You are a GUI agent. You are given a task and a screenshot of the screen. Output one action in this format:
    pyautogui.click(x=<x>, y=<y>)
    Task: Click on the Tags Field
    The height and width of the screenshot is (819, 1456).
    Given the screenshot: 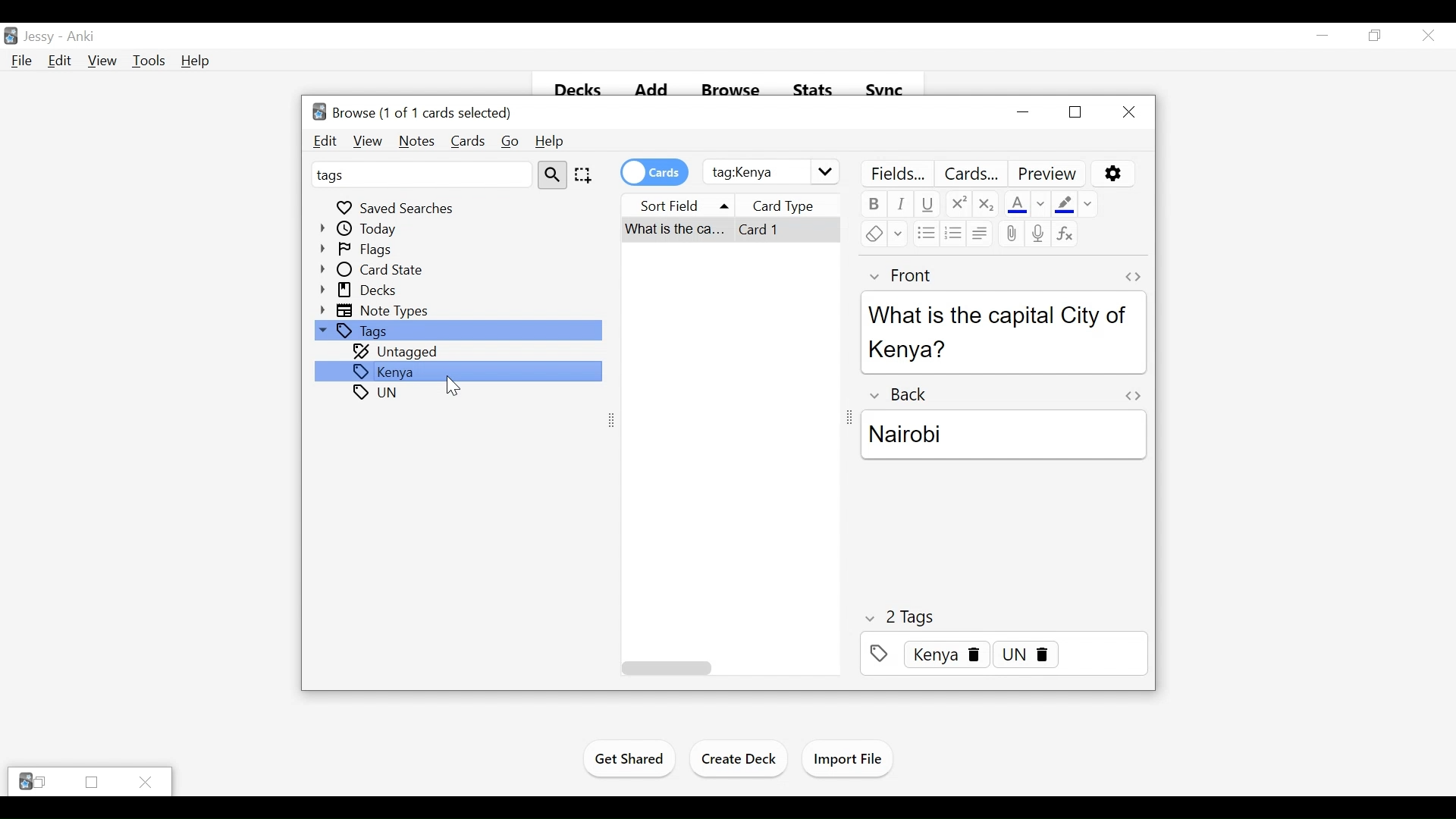 What is the action you would take?
    pyautogui.click(x=1003, y=654)
    